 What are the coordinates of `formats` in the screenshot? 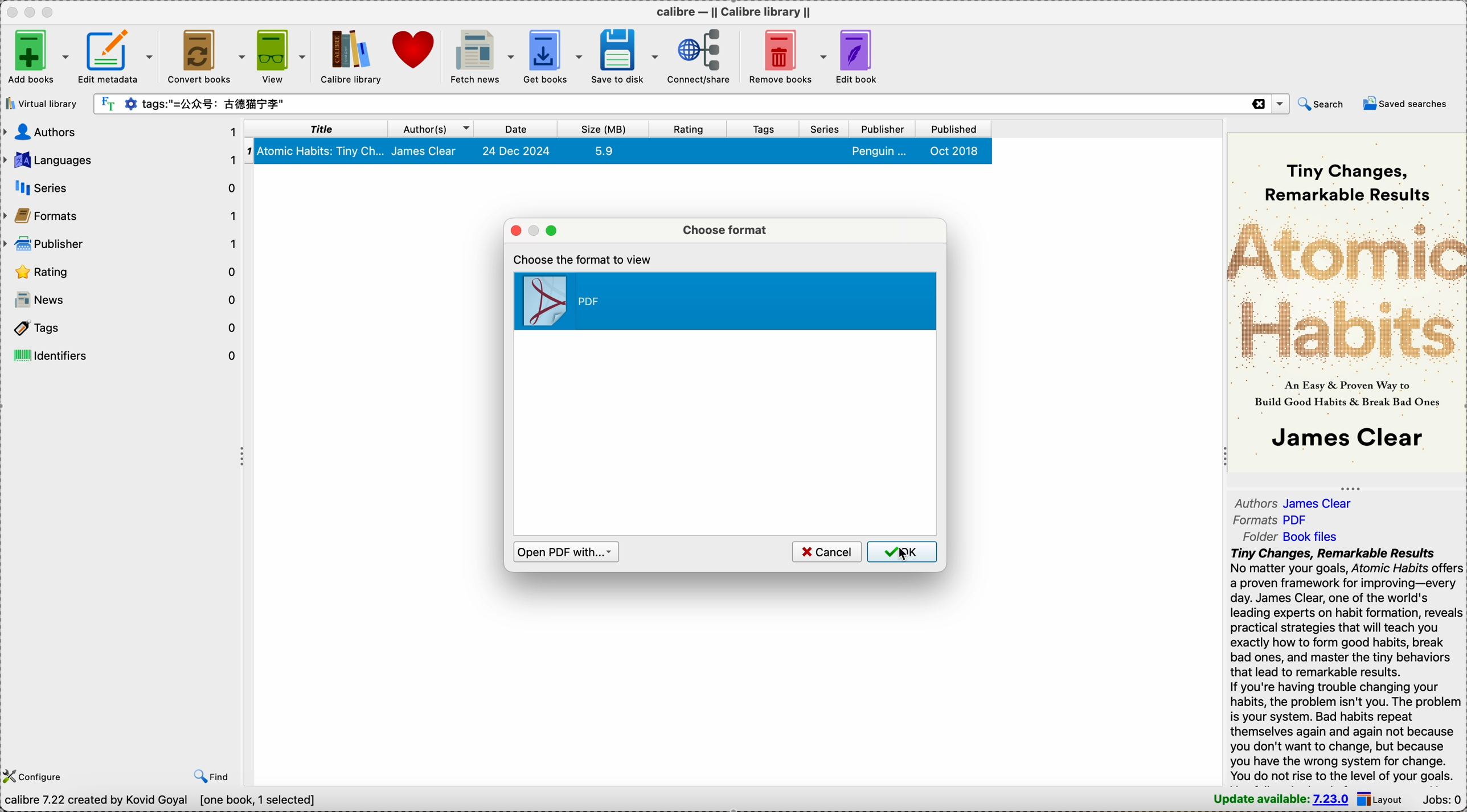 It's located at (121, 215).